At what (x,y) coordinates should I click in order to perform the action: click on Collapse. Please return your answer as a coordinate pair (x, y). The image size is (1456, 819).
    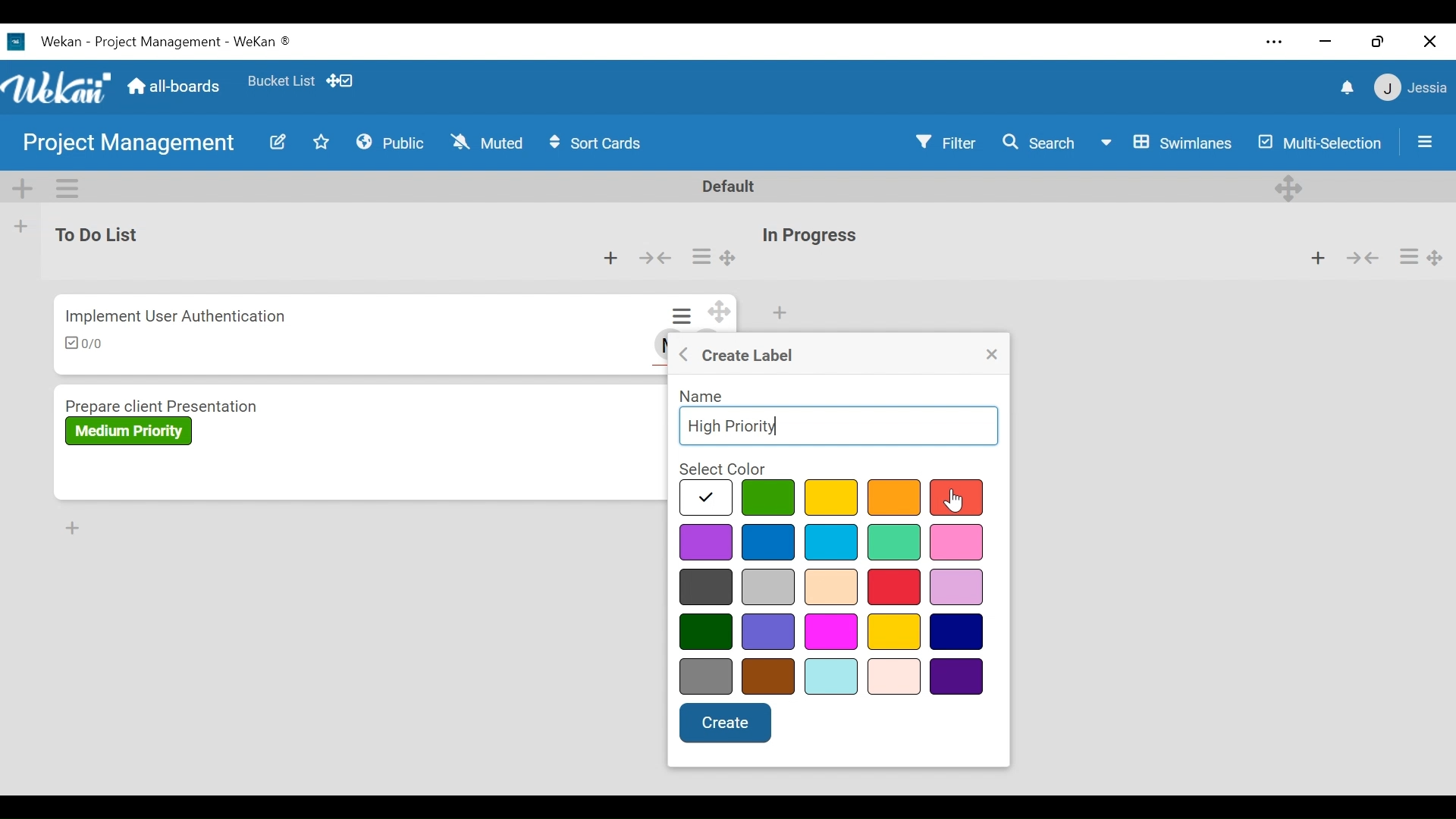
    Looking at the image, I should click on (1361, 257).